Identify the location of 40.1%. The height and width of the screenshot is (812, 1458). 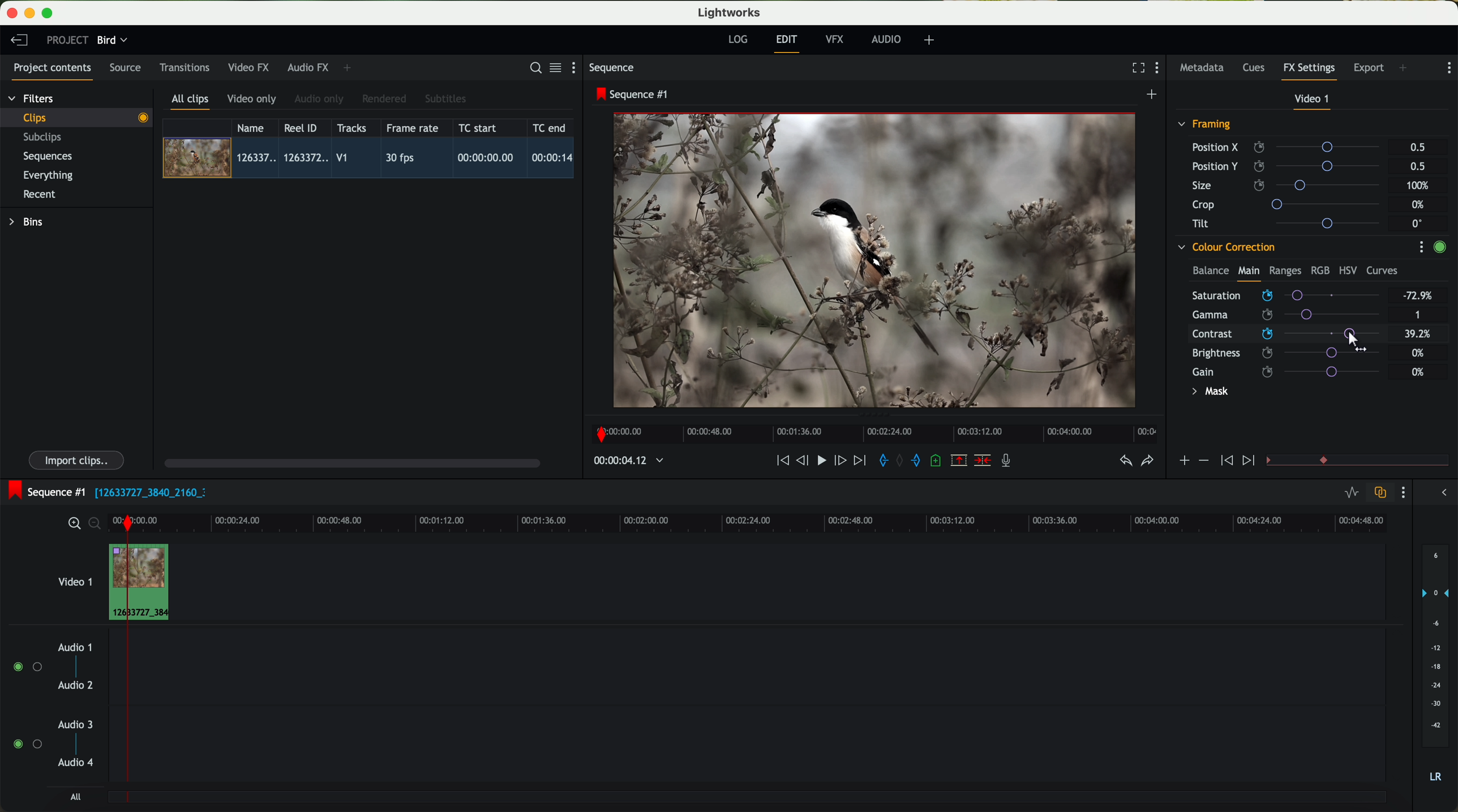
(1421, 334).